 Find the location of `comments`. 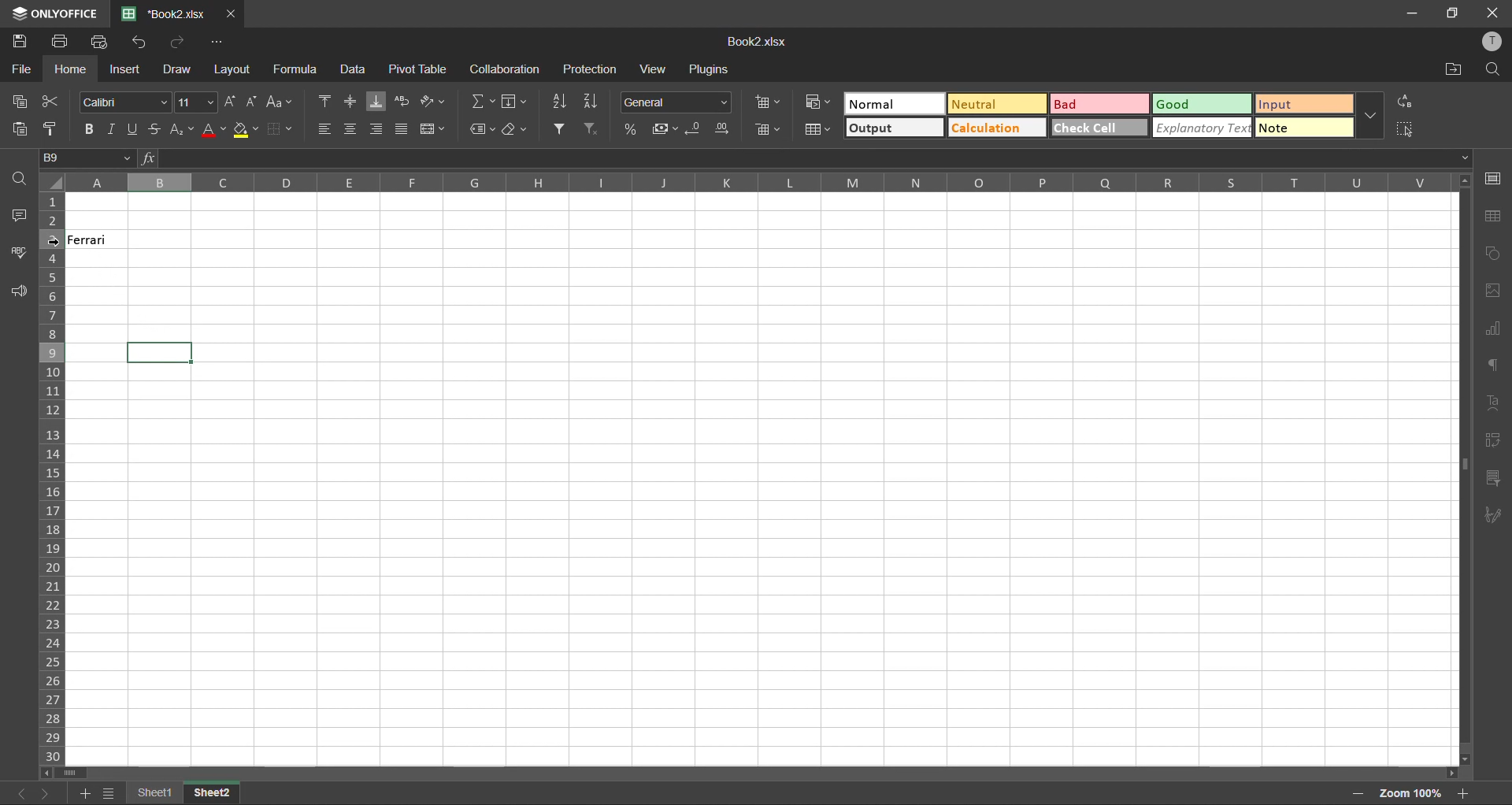

comments is located at coordinates (18, 214).